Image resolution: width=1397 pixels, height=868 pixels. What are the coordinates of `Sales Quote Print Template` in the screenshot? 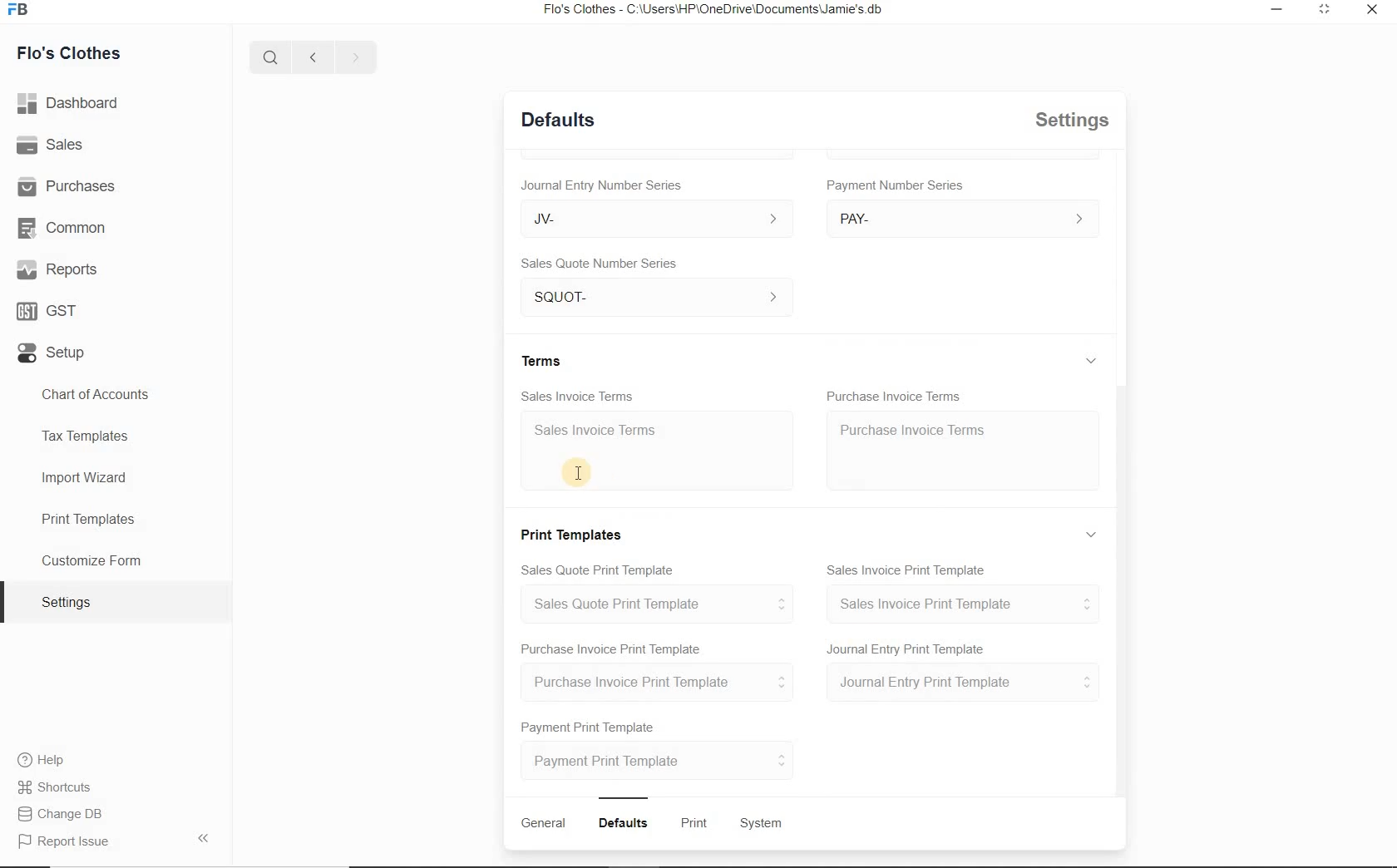 It's located at (653, 604).